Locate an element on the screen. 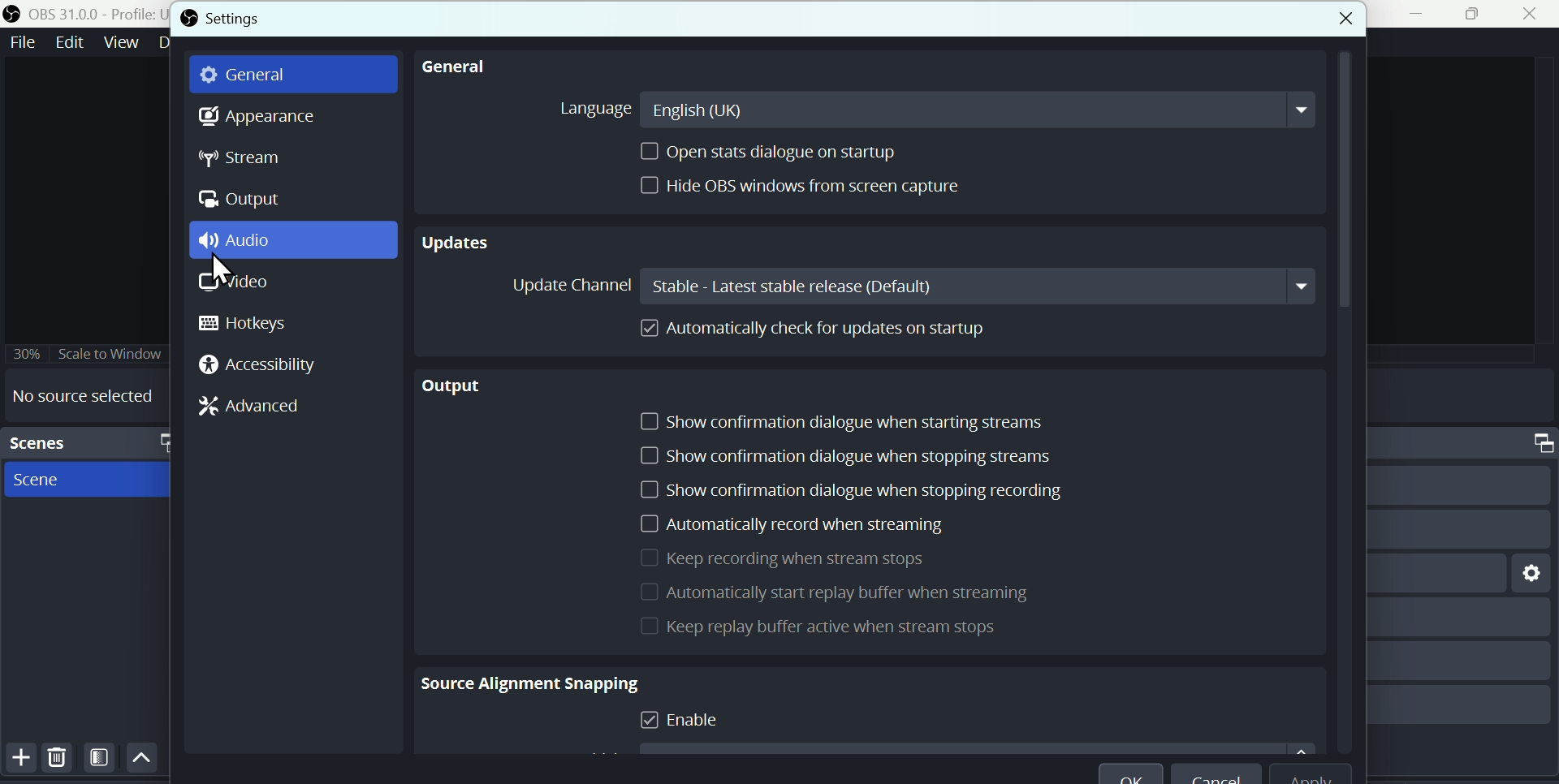  File is located at coordinates (22, 41).